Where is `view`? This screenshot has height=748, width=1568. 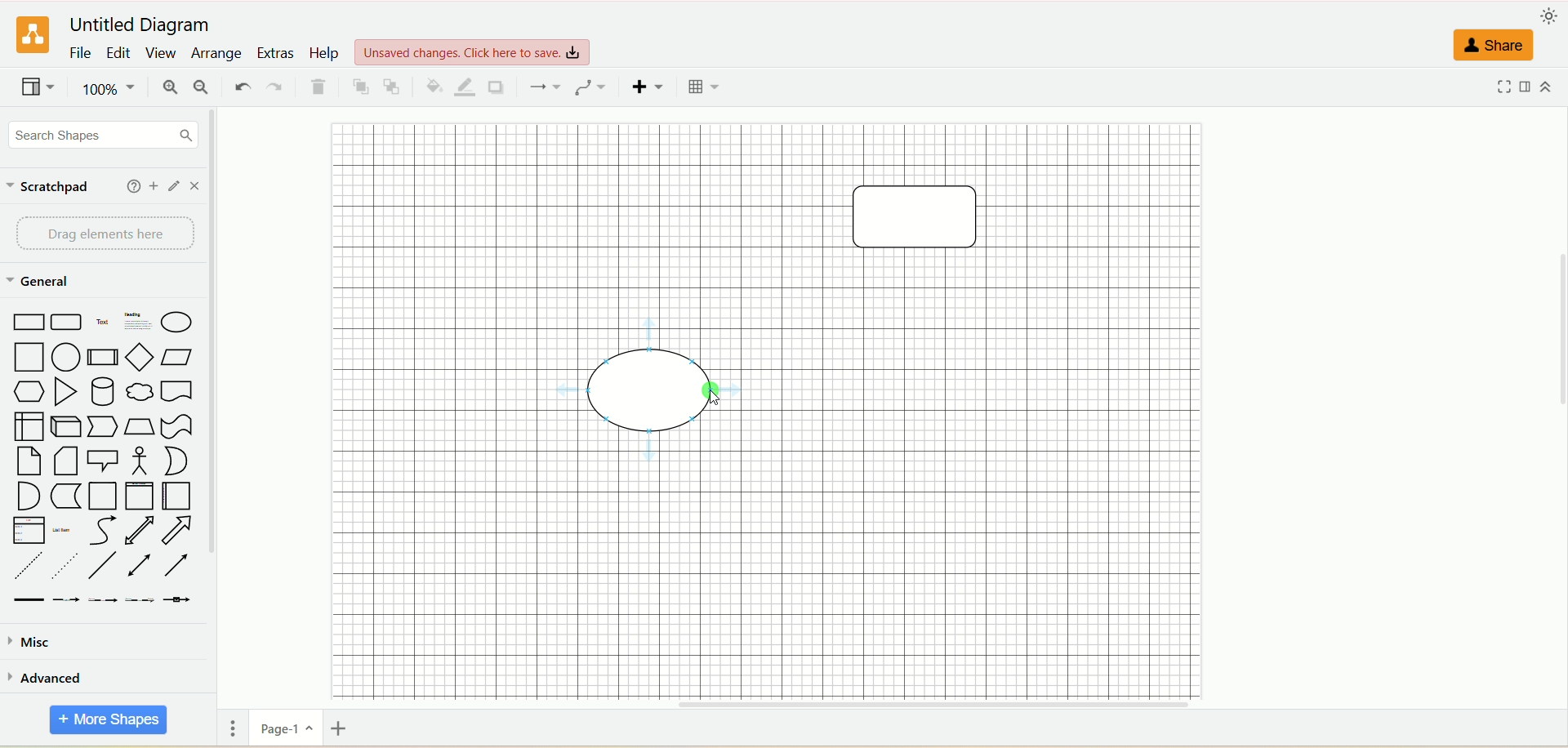 view is located at coordinates (38, 89).